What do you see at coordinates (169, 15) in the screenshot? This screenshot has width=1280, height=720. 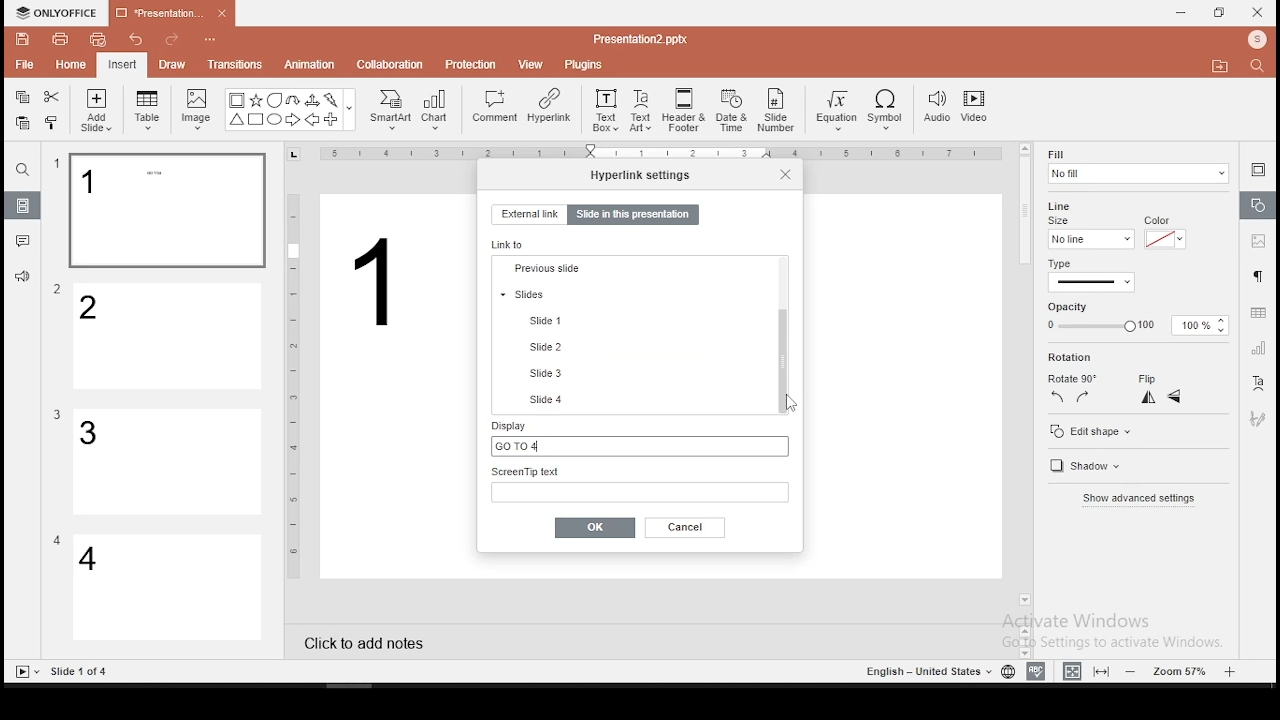 I see `presentation` at bounding box center [169, 15].